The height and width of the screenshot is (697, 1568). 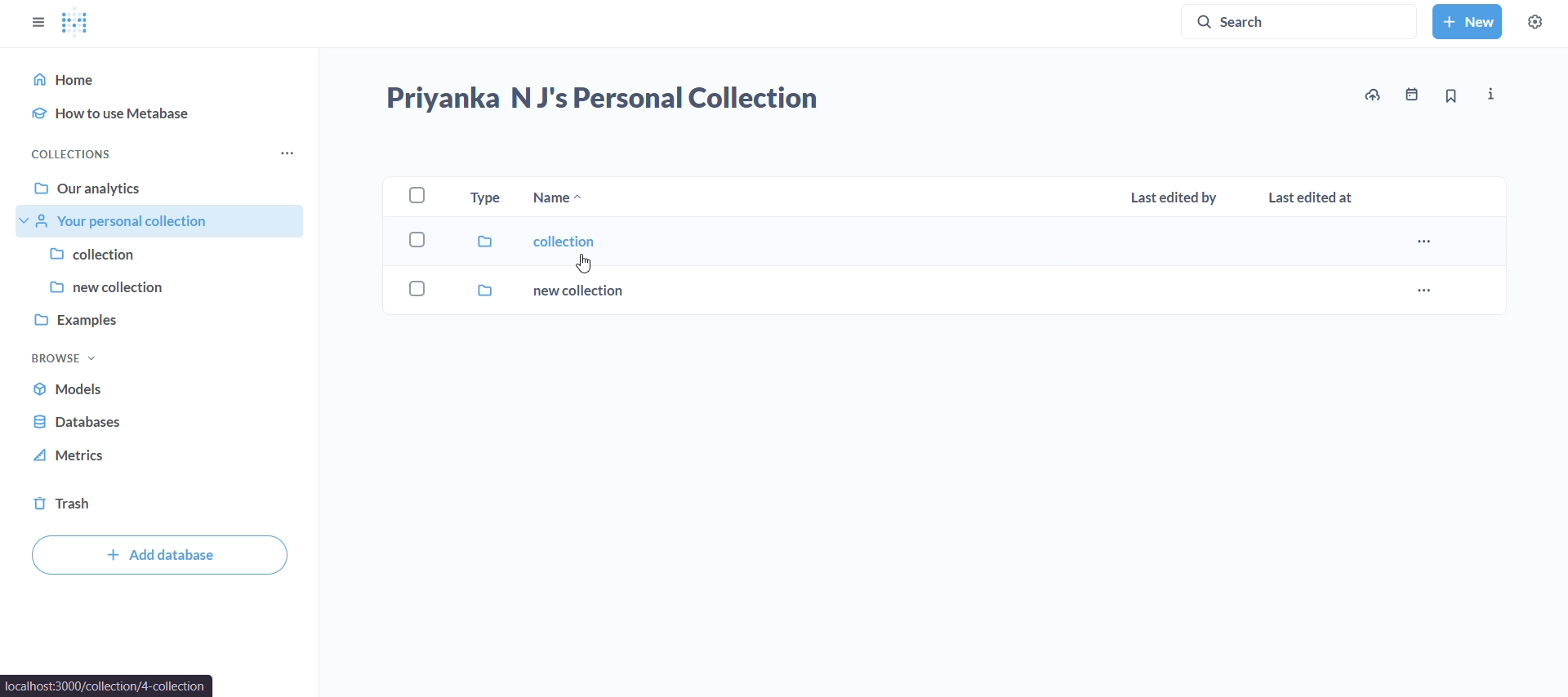 What do you see at coordinates (560, 200) in the screenshot?
I see `name` at bounding box center [560, 200].